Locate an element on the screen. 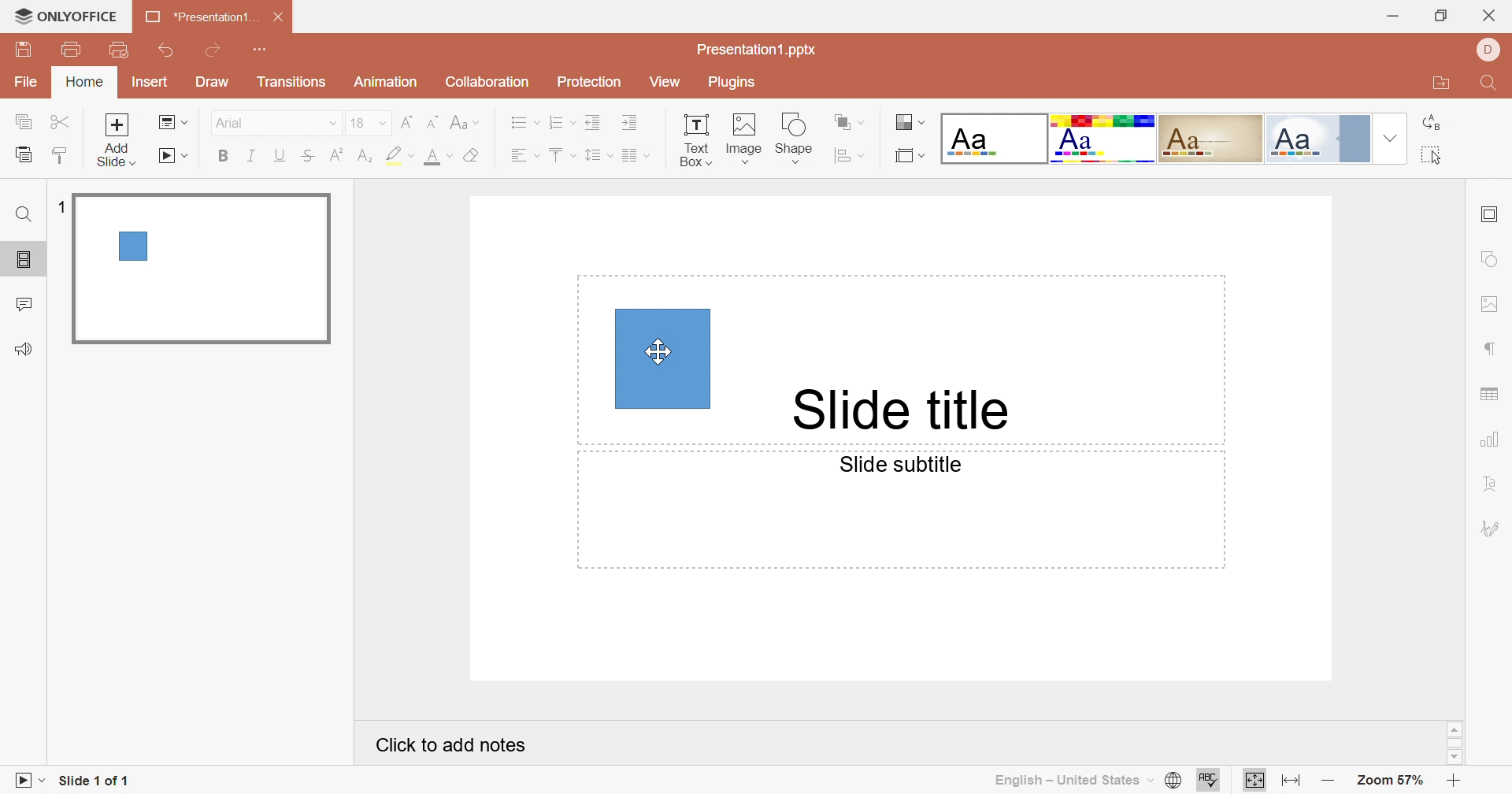 The height and width of the screenshot is (794, 1512). Align shape is located at coordinates (850, 157).